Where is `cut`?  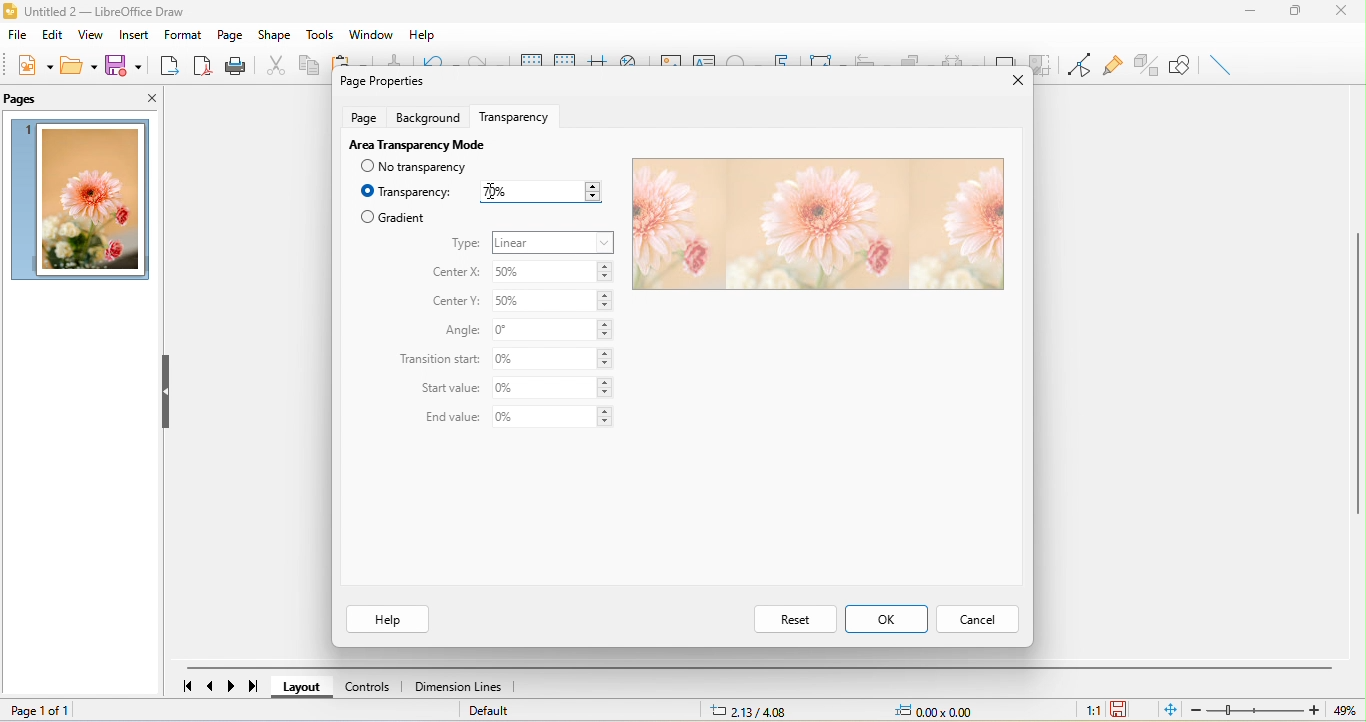 cut is located at coordinates (272, 64).